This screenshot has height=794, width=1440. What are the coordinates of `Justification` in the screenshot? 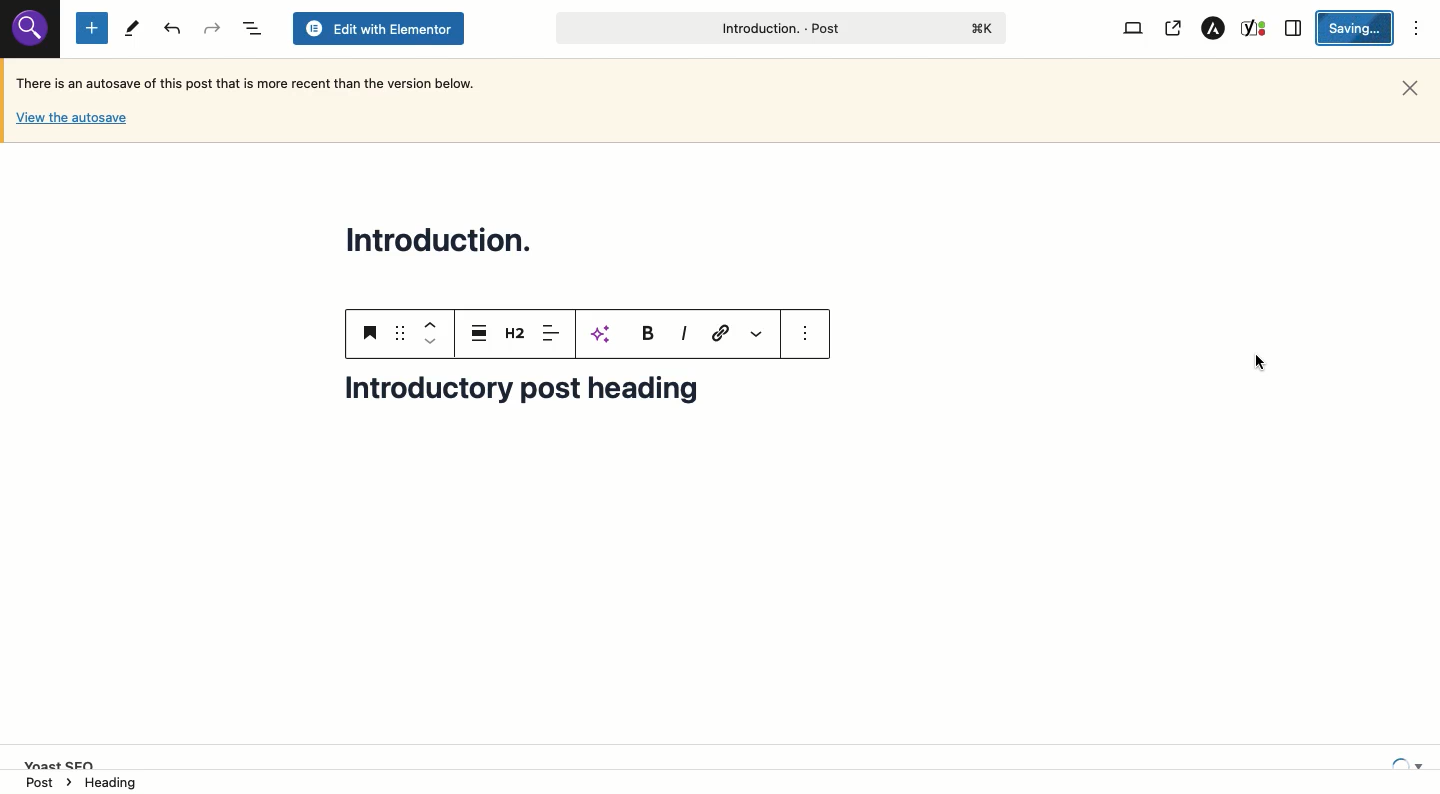 It's located at (477, 332).